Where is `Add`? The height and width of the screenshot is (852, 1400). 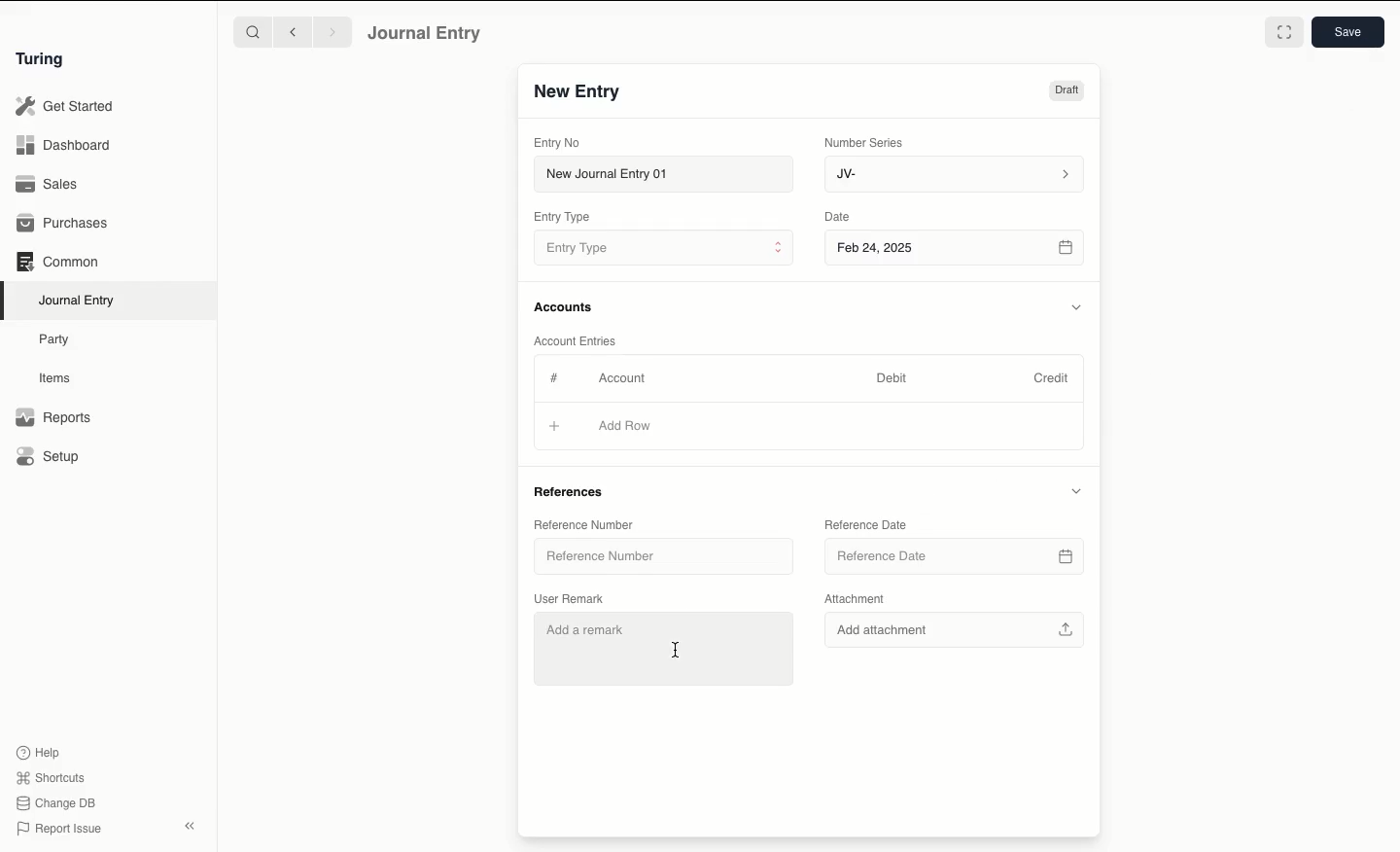
Add is located at coordinates (555, 426).